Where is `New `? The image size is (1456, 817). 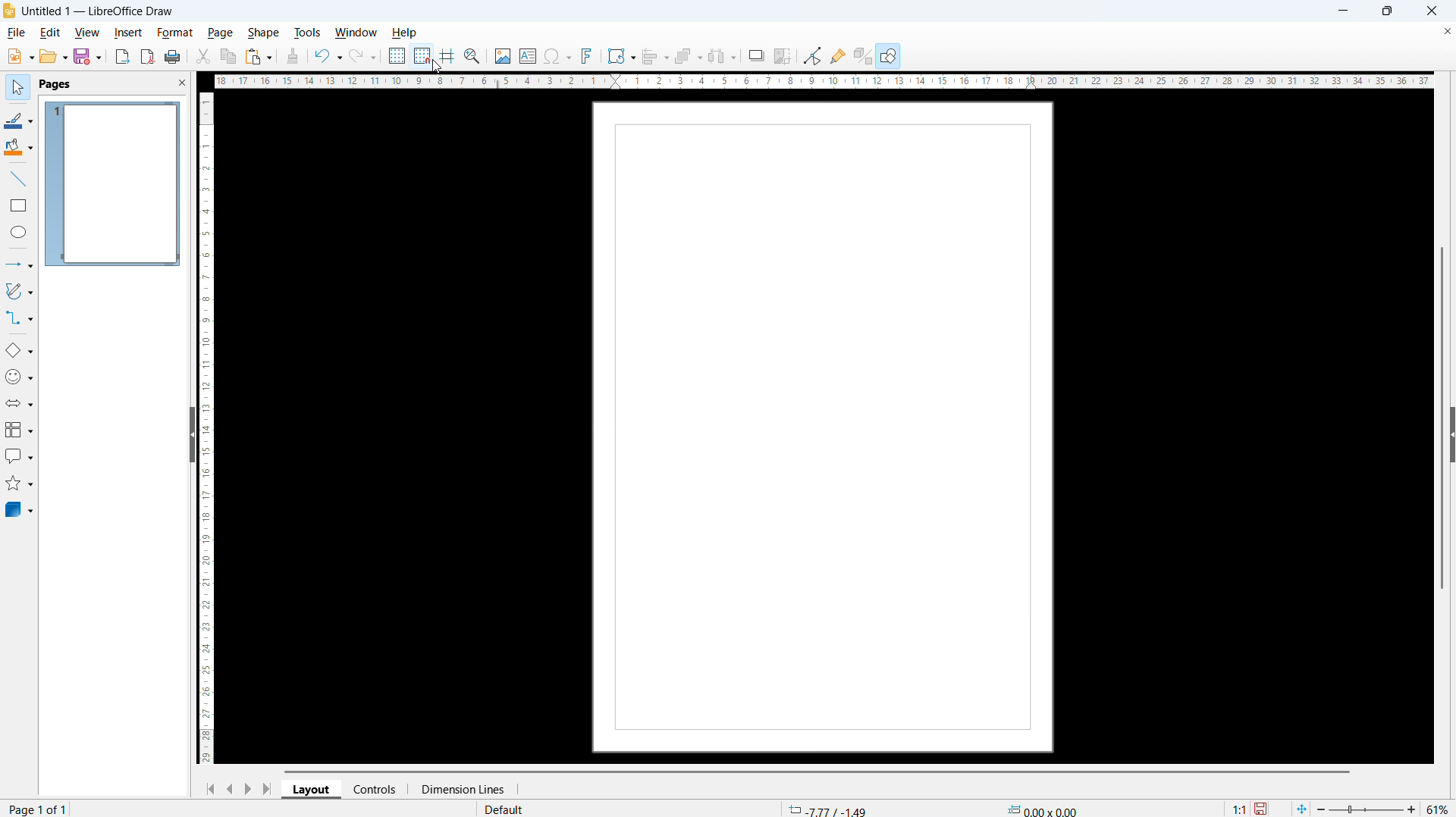
New  is located at coordinates (20, 56).